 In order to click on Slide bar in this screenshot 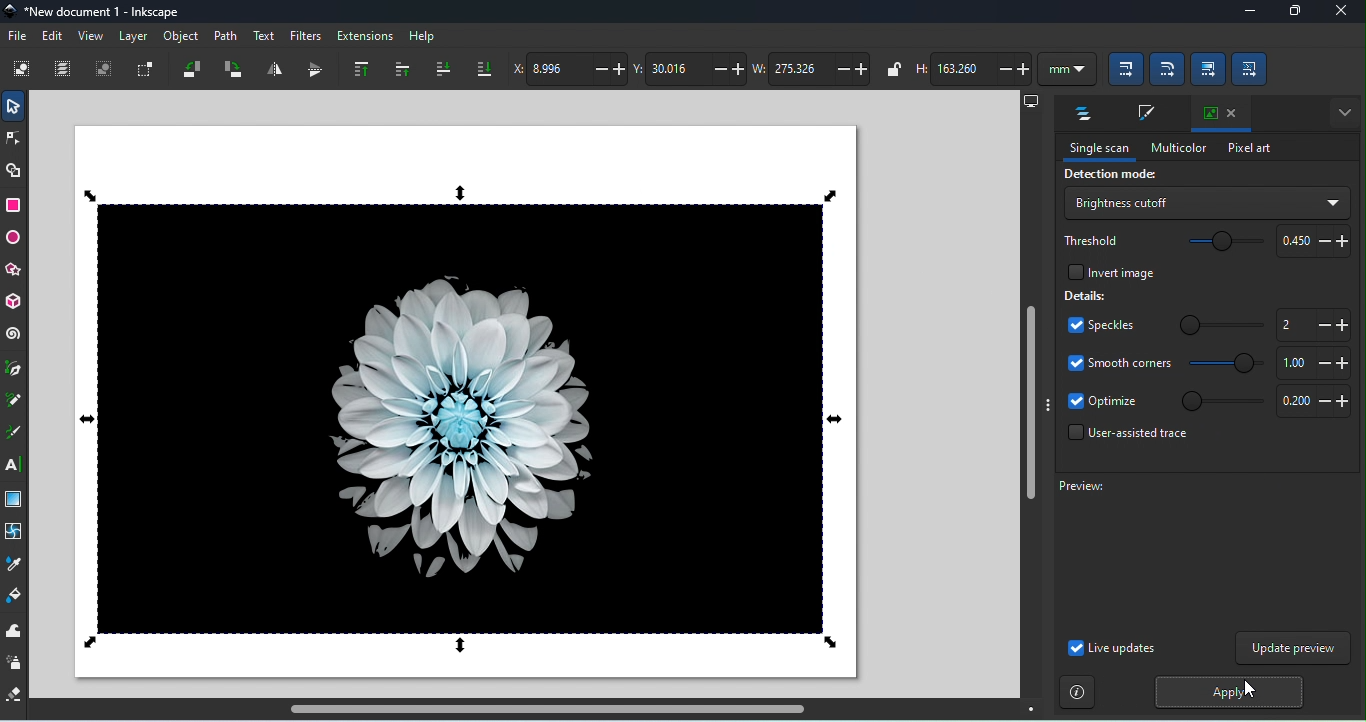, I will do `click(1221, 326)`.